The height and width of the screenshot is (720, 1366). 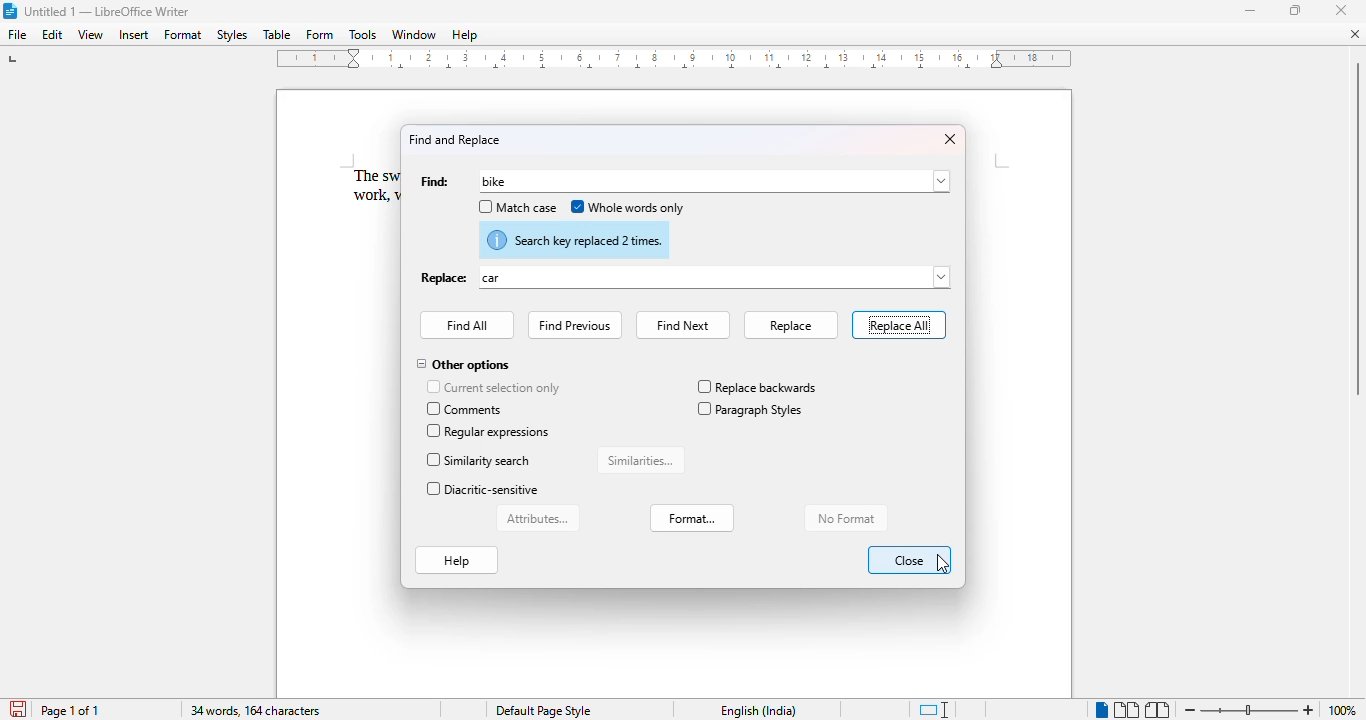 I want to click on close, so click(x=1352, y=35).